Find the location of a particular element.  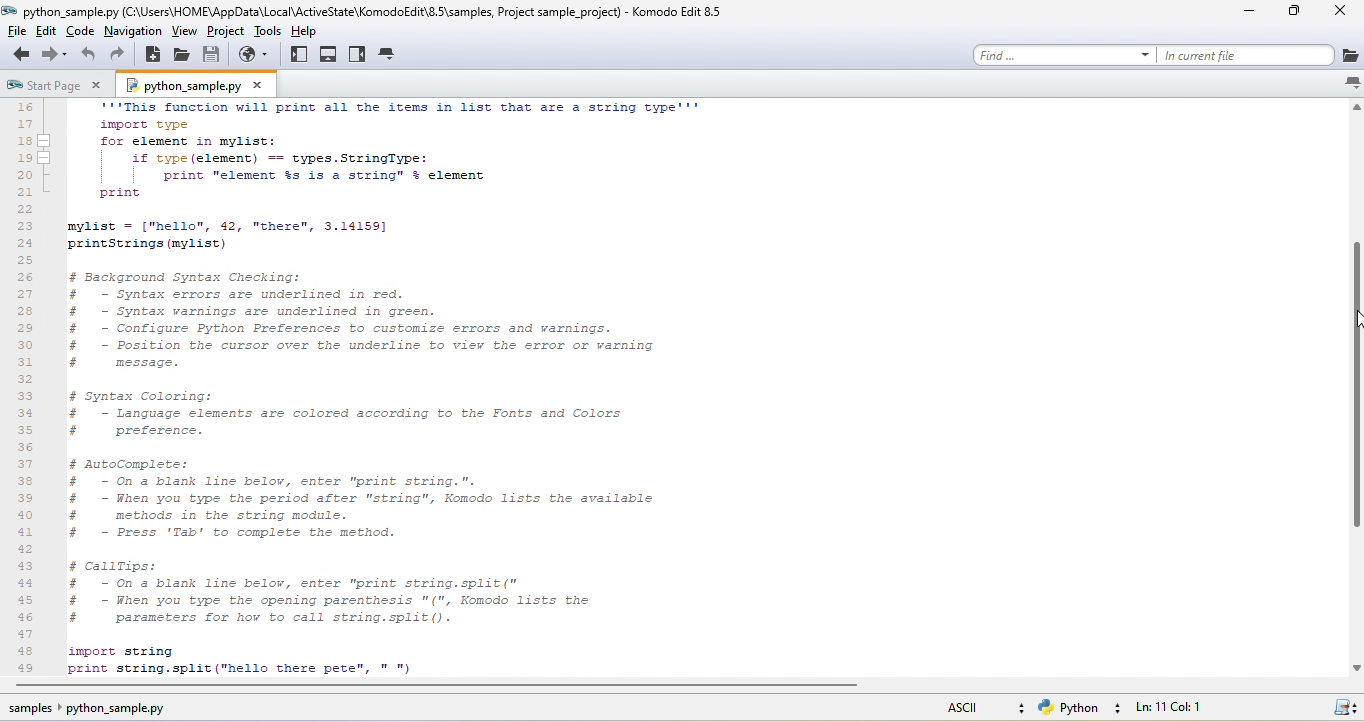

in current file is located at coordinates (1259, 55).